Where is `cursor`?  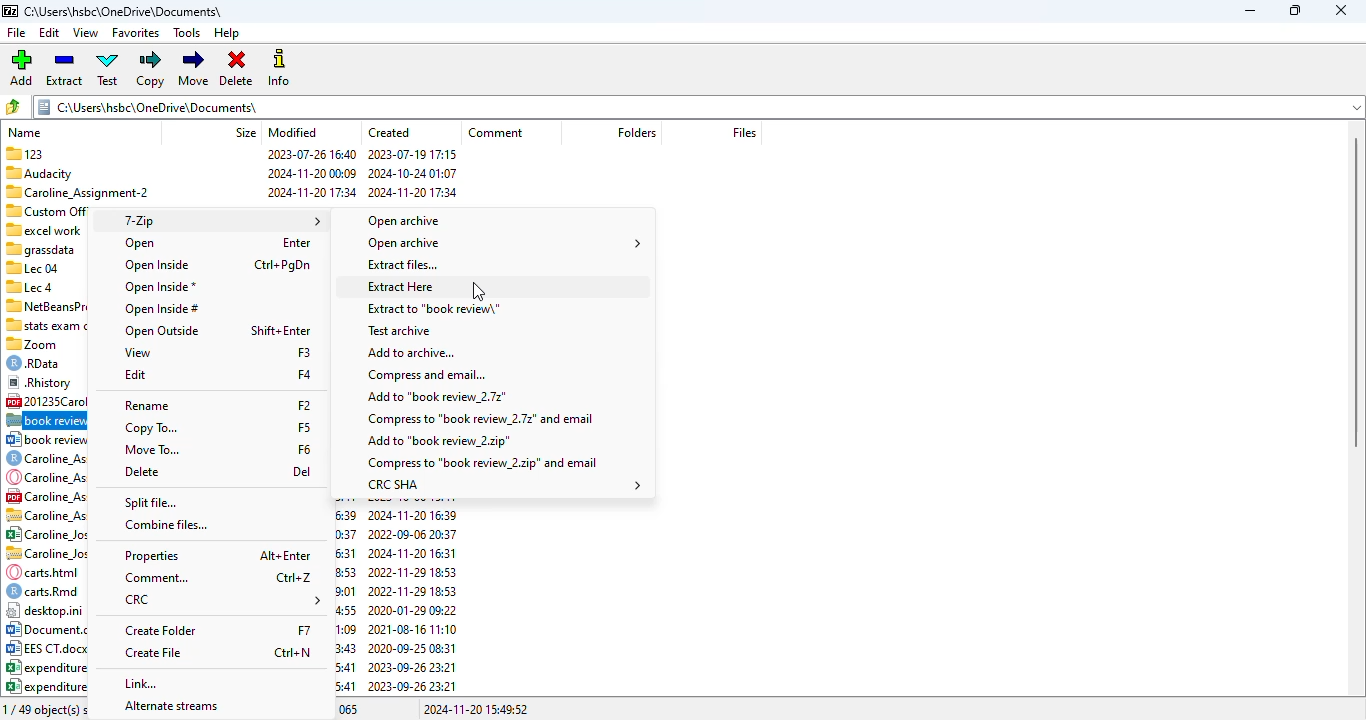
cursor is located at coordinates (480, 291).